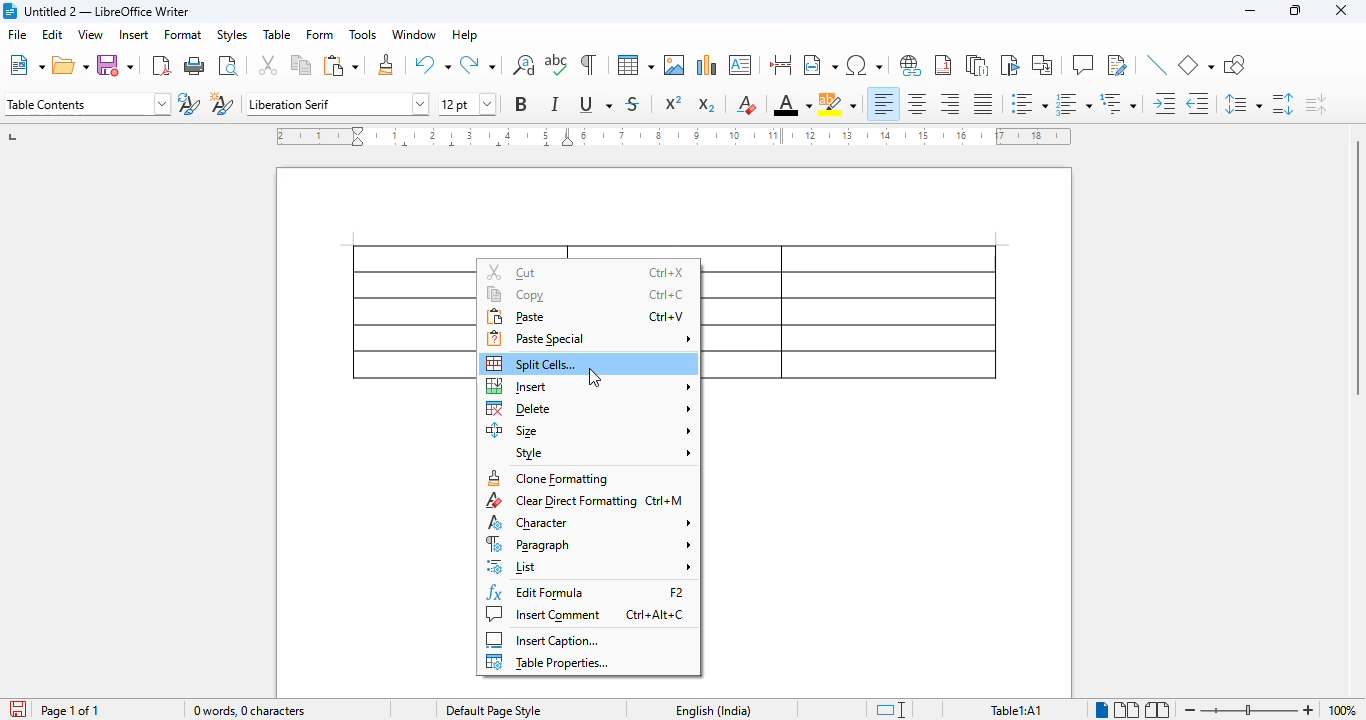 This screenshot has width=1366, height=720. Describe the element at coordinates (855, 311) in the screenshot. I see `table` at that location.